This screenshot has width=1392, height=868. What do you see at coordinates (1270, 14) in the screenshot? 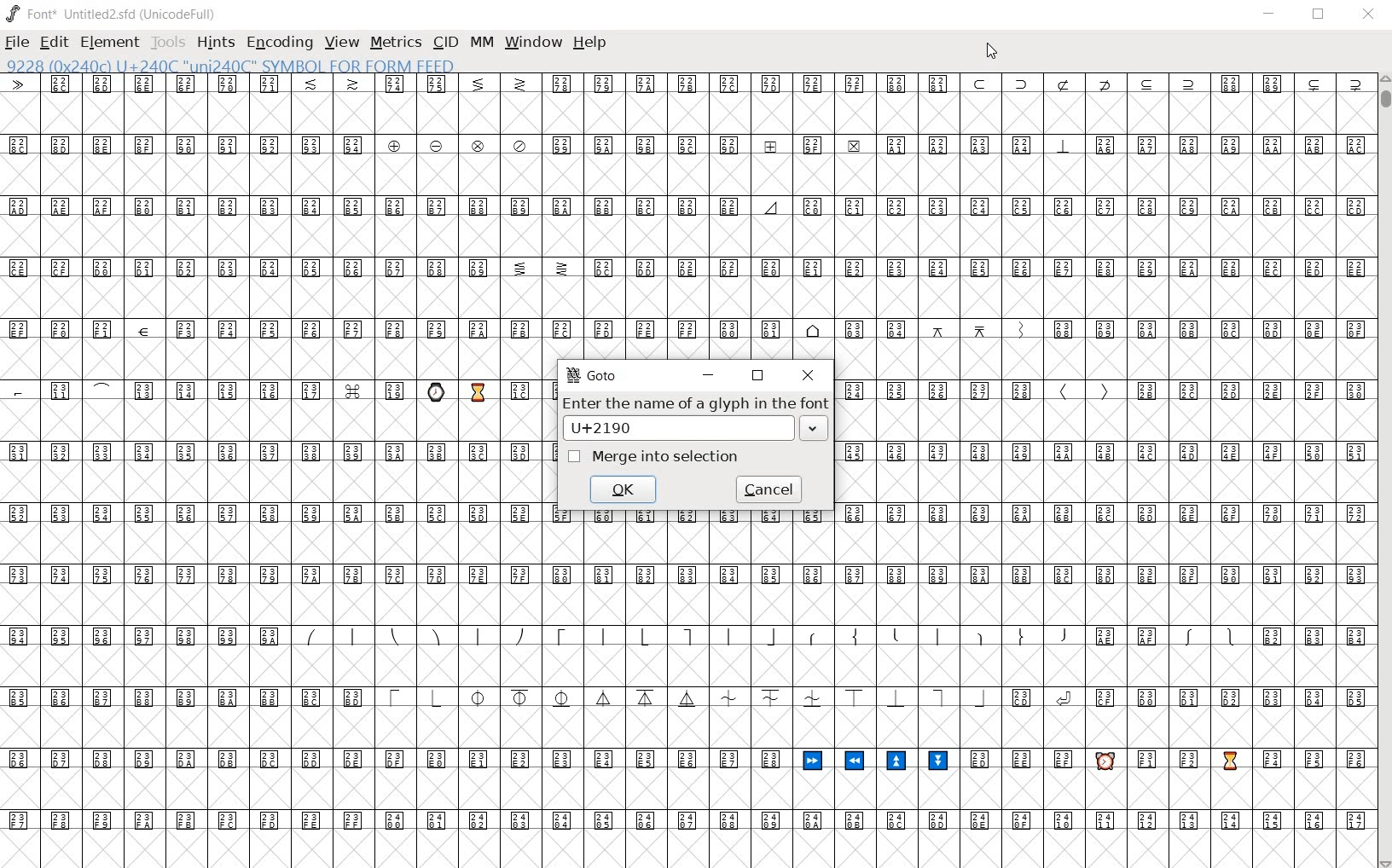
I see `minimize` at bounding box center [1270, 14].